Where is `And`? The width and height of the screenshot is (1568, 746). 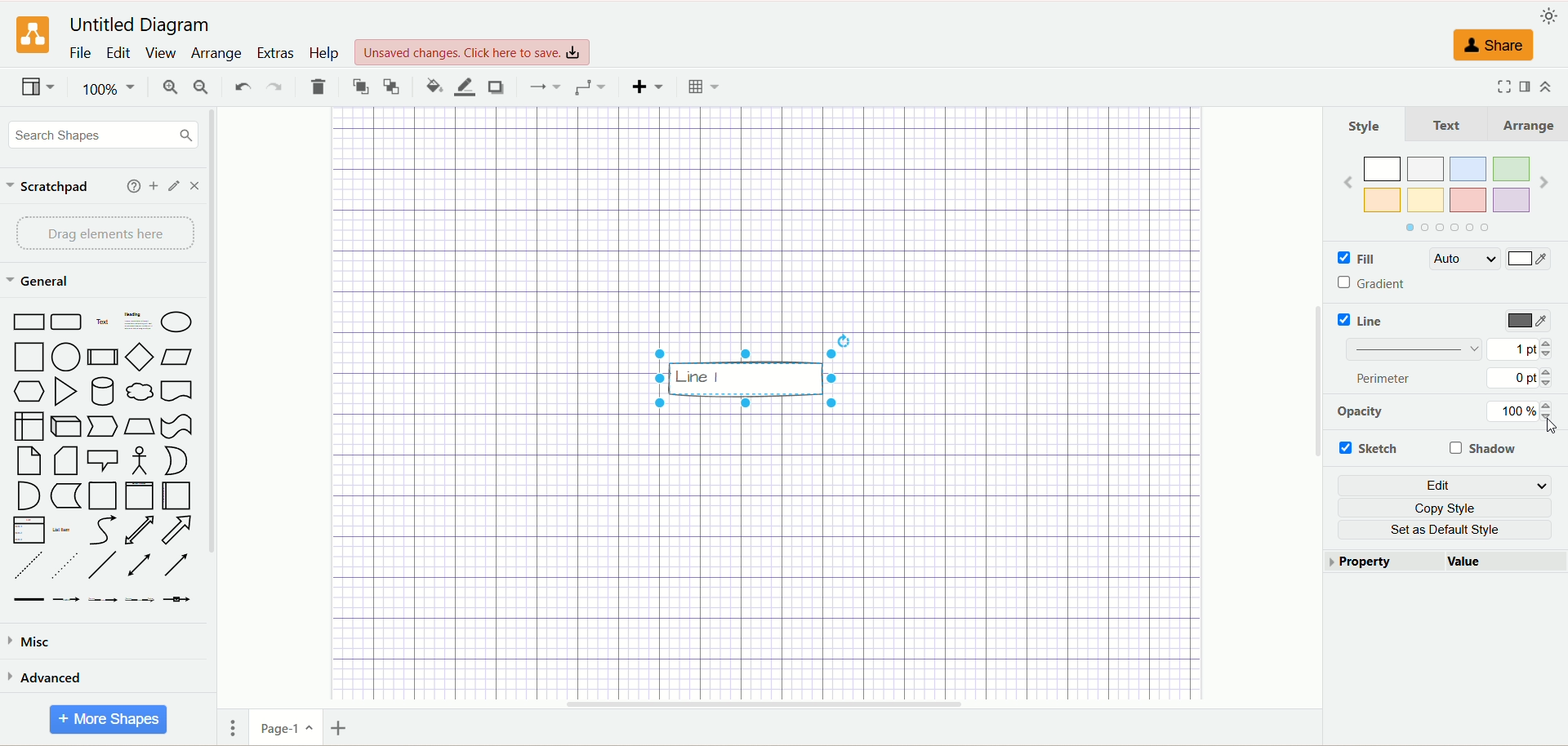 And is located at coordinates (29, 497).